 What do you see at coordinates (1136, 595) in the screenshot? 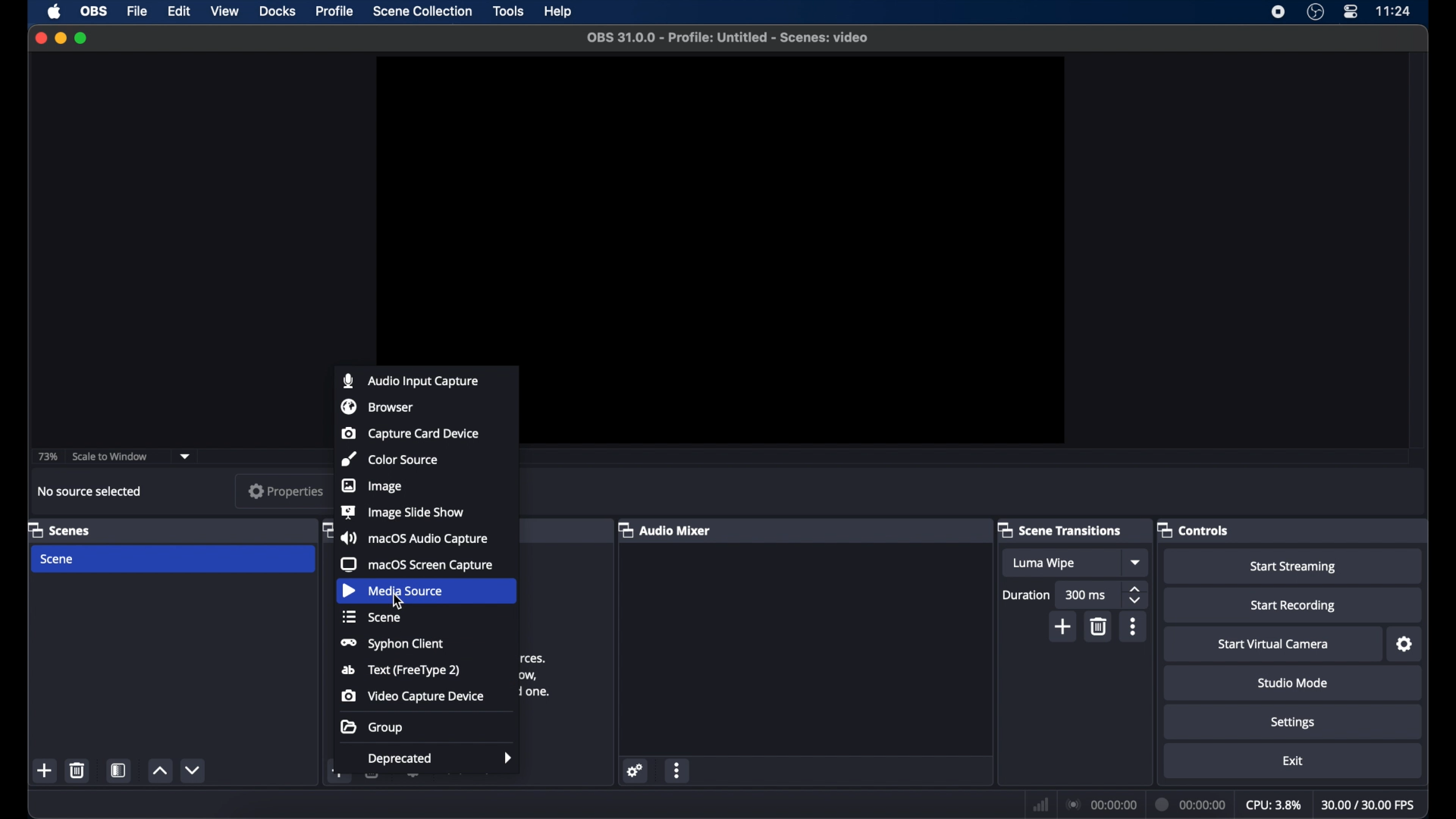
I see `stepper buttons` at bounding box center [1136, 595].